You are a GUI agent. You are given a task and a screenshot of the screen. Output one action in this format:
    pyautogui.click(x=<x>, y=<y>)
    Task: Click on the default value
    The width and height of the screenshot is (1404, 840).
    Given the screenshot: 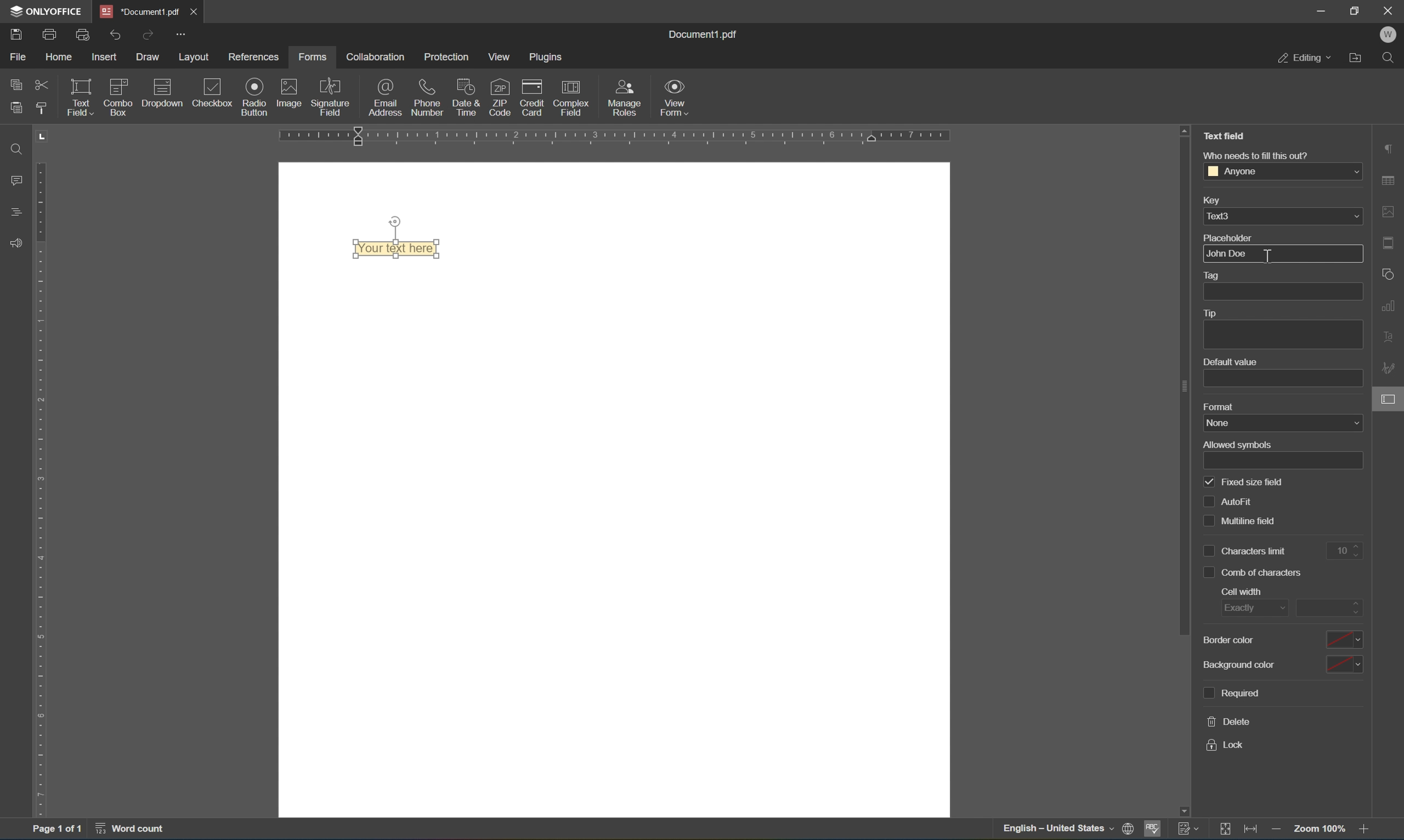 What is the action you would take?
    pyautogui.click(x=1231, y=362)
    